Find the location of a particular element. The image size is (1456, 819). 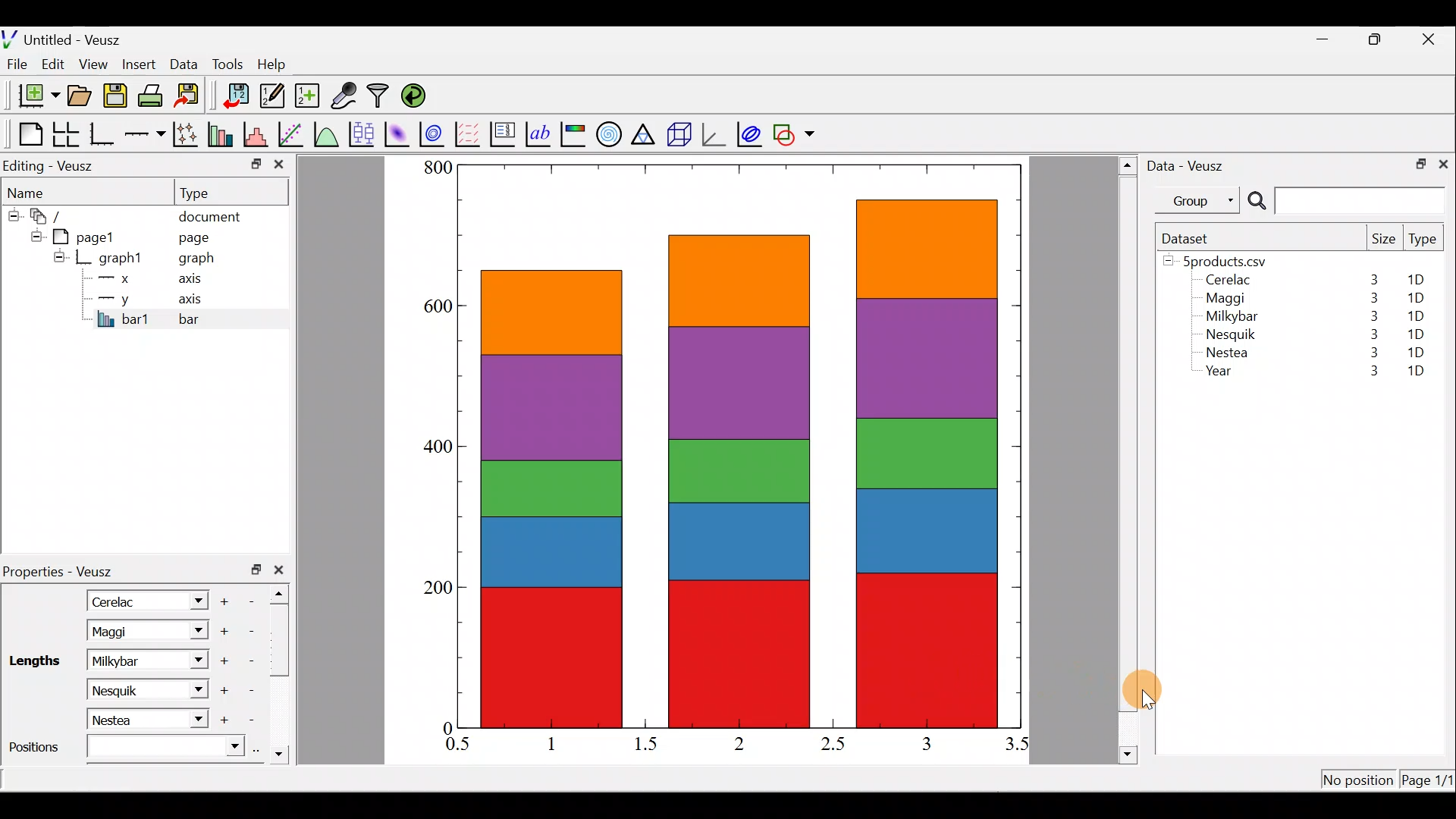

Length dropdown is located at coordinates (191, 600).